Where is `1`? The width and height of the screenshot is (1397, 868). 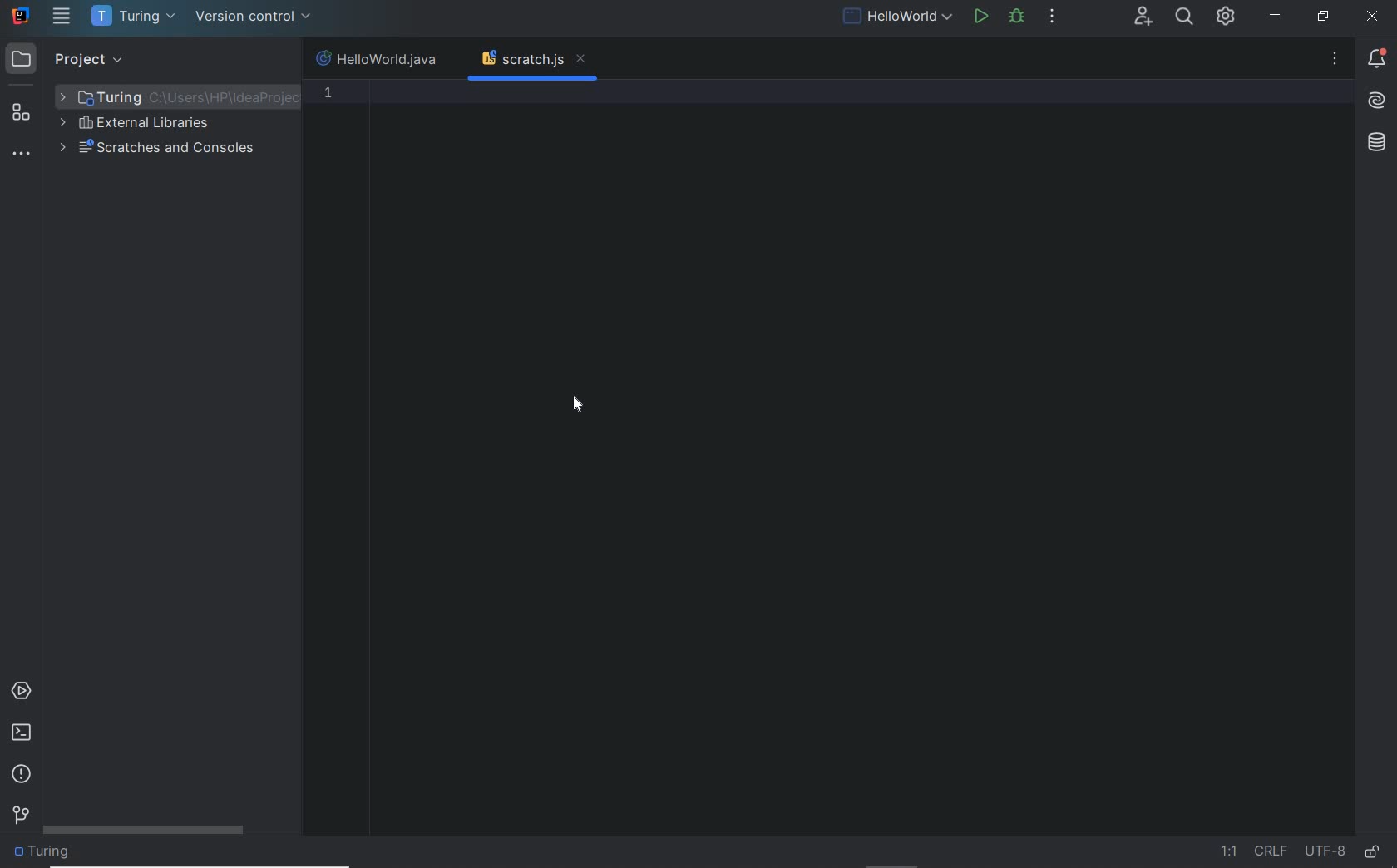
1 is located at coordinates (328, 92).